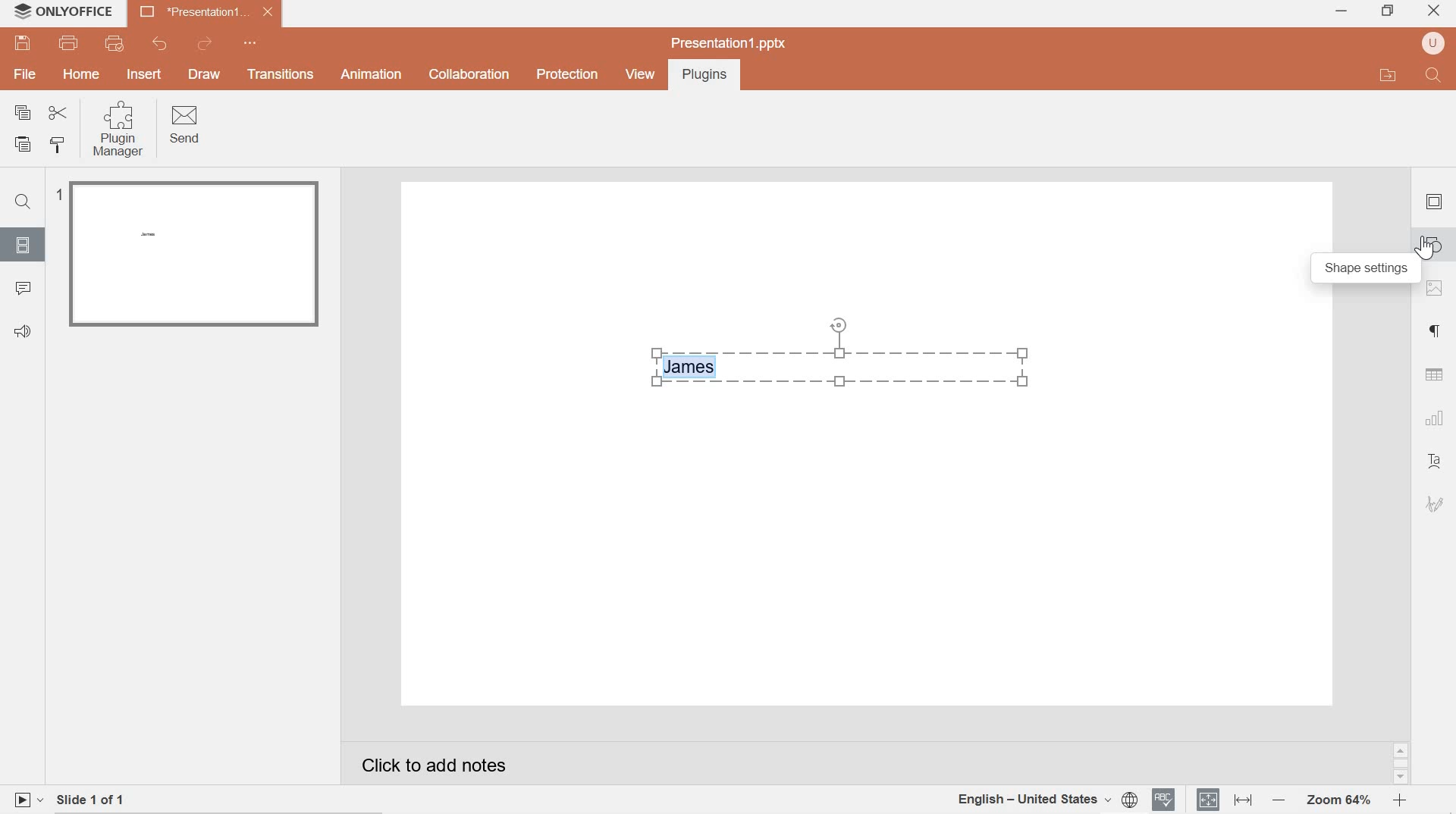 This screenshot has height=814, width=1456. Describe the element at coordinates (1337, 800) in the screenshot. I see `Zoom 64%` at that location.